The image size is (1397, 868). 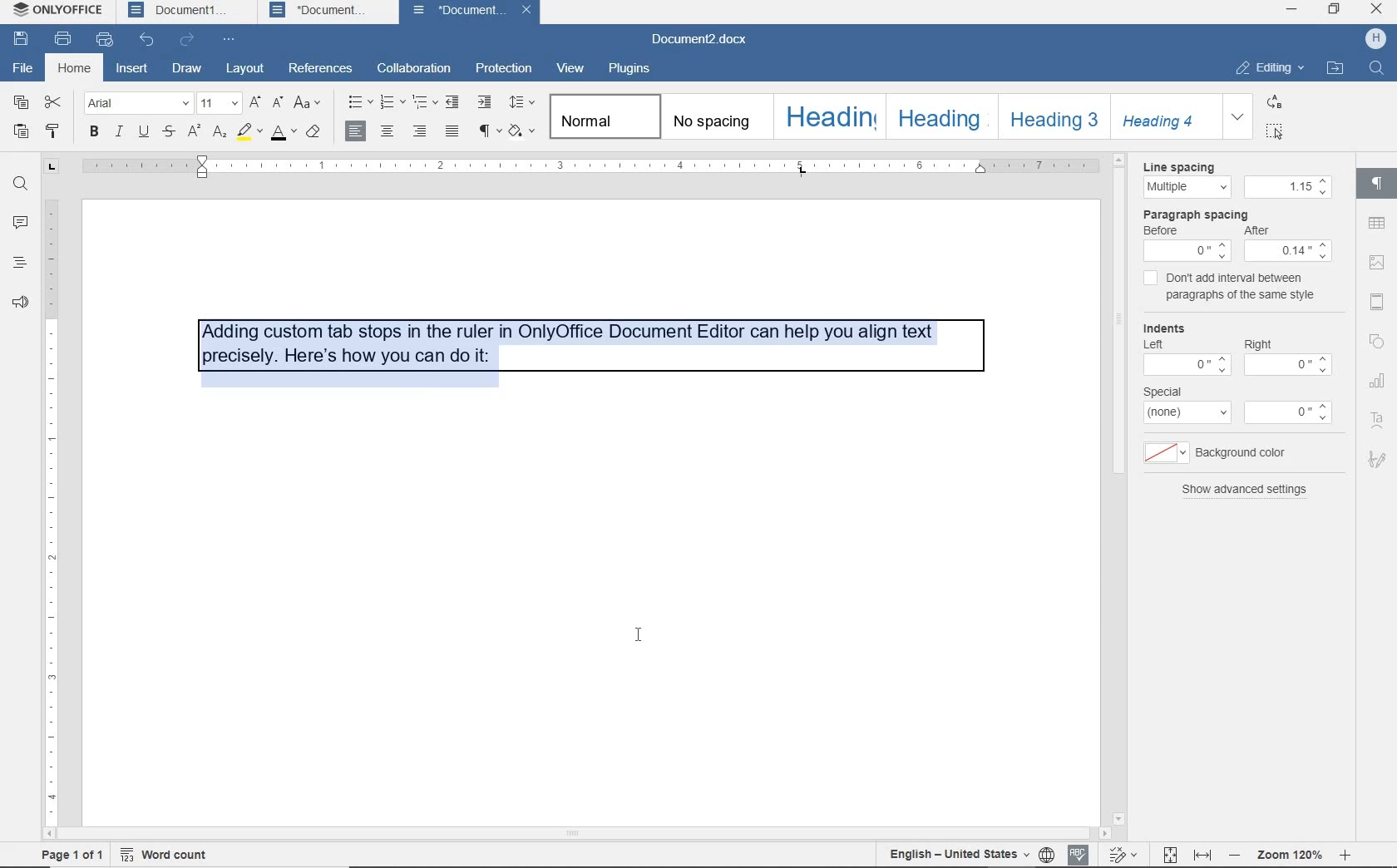 I want to click on underline, so click(x=144, y=133).